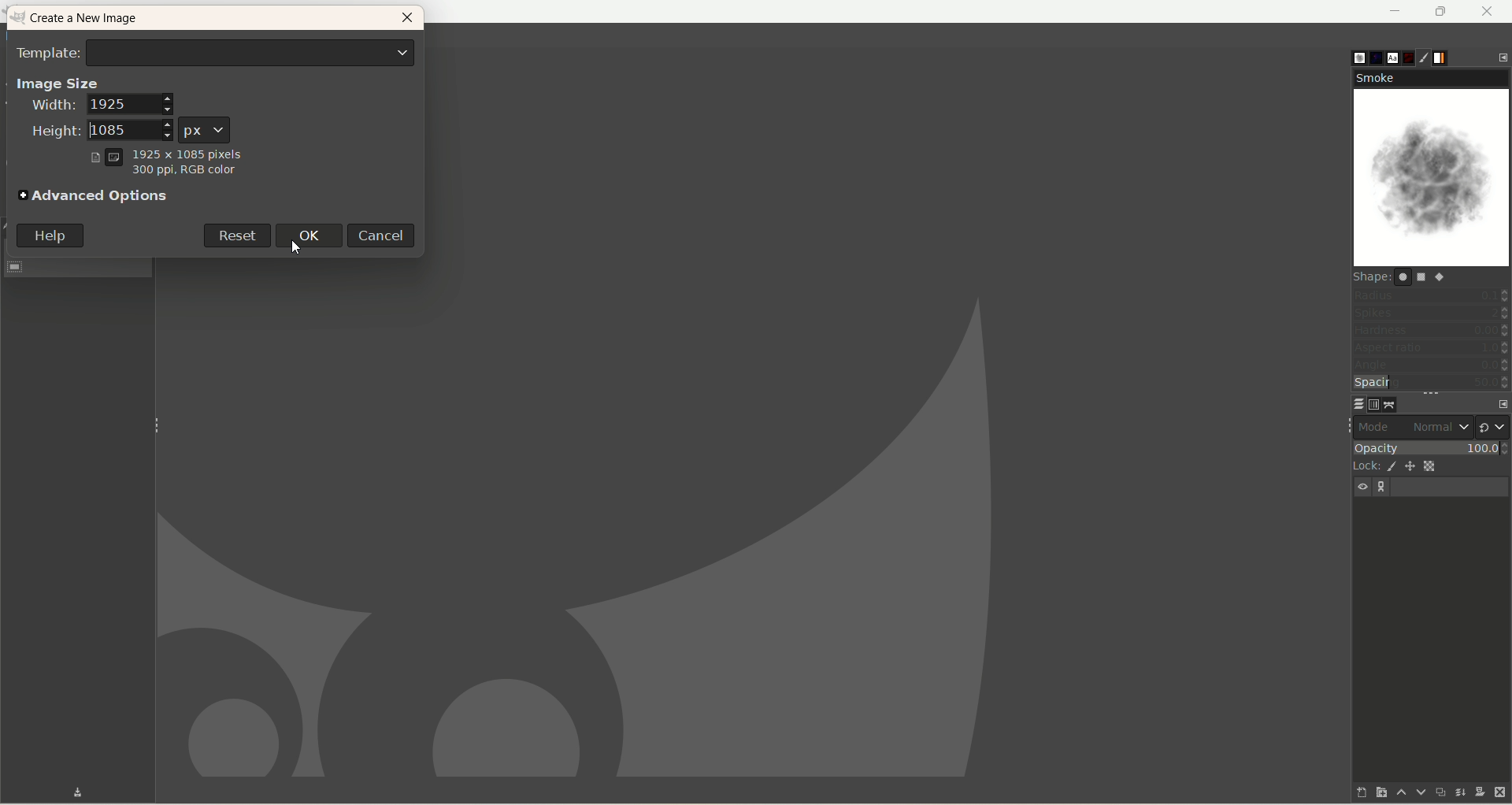 The height and width of the screenshot is (805, 1512). What do you see at coordinates (295, 246) in the screenshot?
I see `cursor` at bounding box center [295, 246].